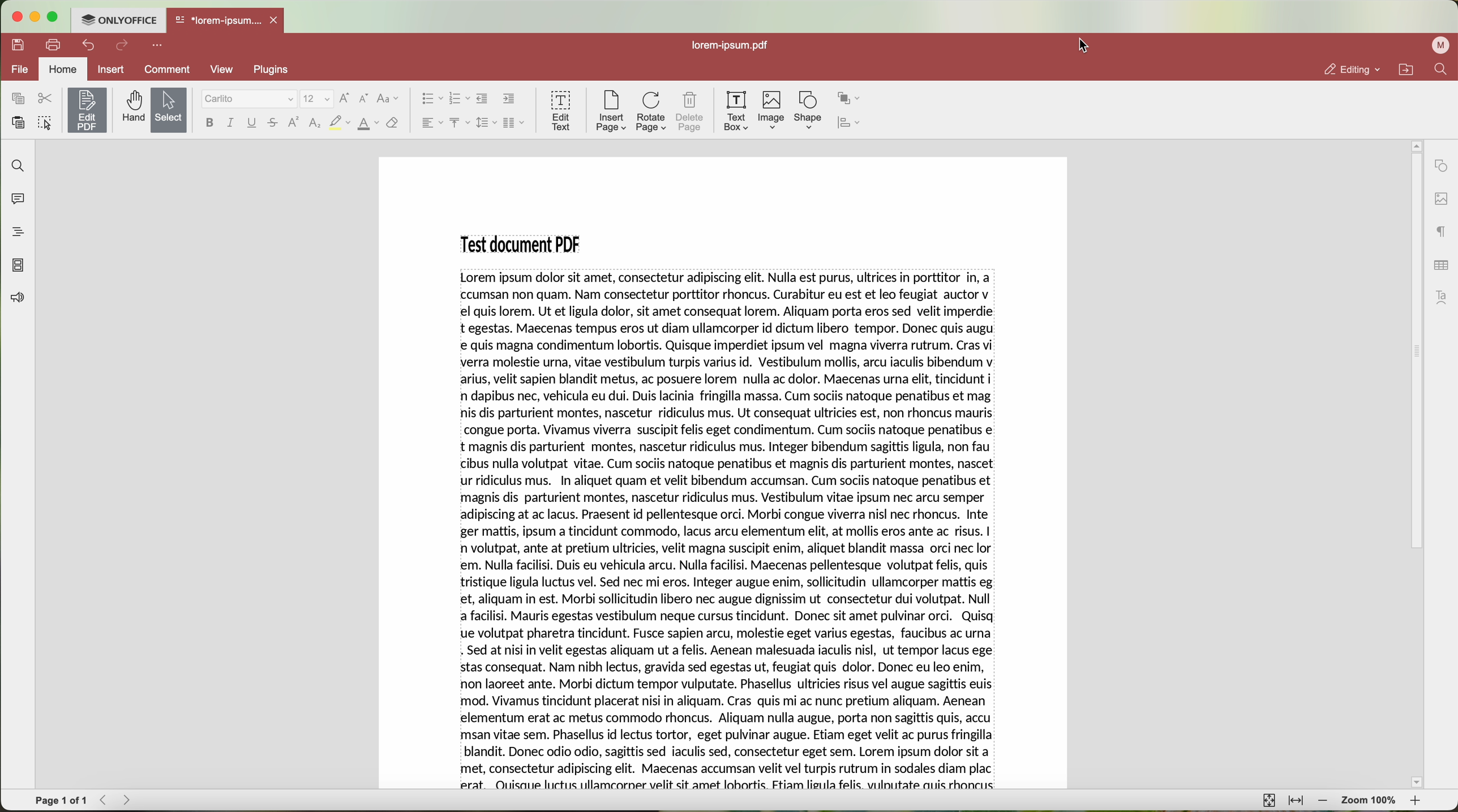 This screenshot has width=1458, height=812. Describe the element at coordinates (368, 124) in the screenshot. I see `font color` at that location.